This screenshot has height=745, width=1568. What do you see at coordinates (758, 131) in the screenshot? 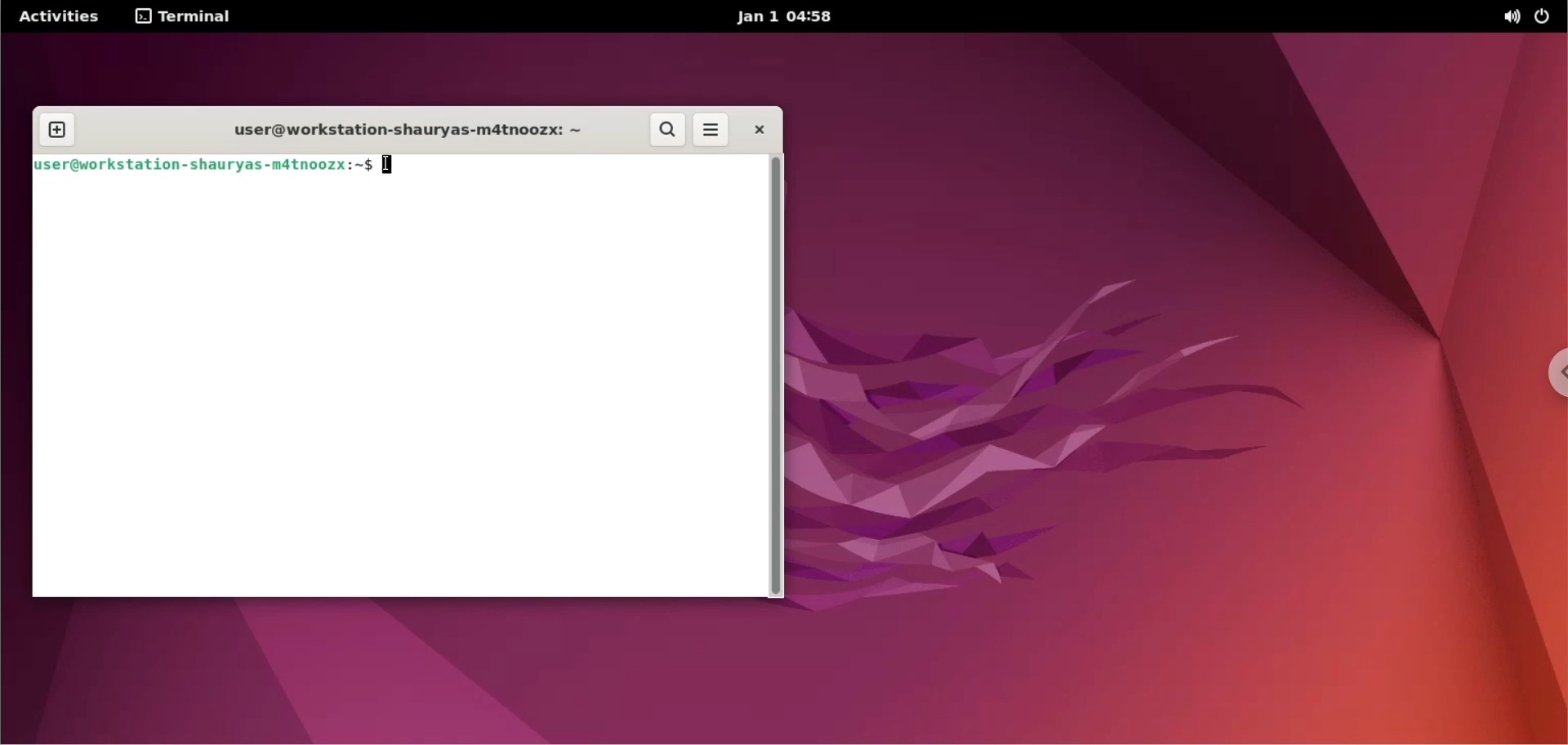
I see `close` at bounding box center [758, 131].